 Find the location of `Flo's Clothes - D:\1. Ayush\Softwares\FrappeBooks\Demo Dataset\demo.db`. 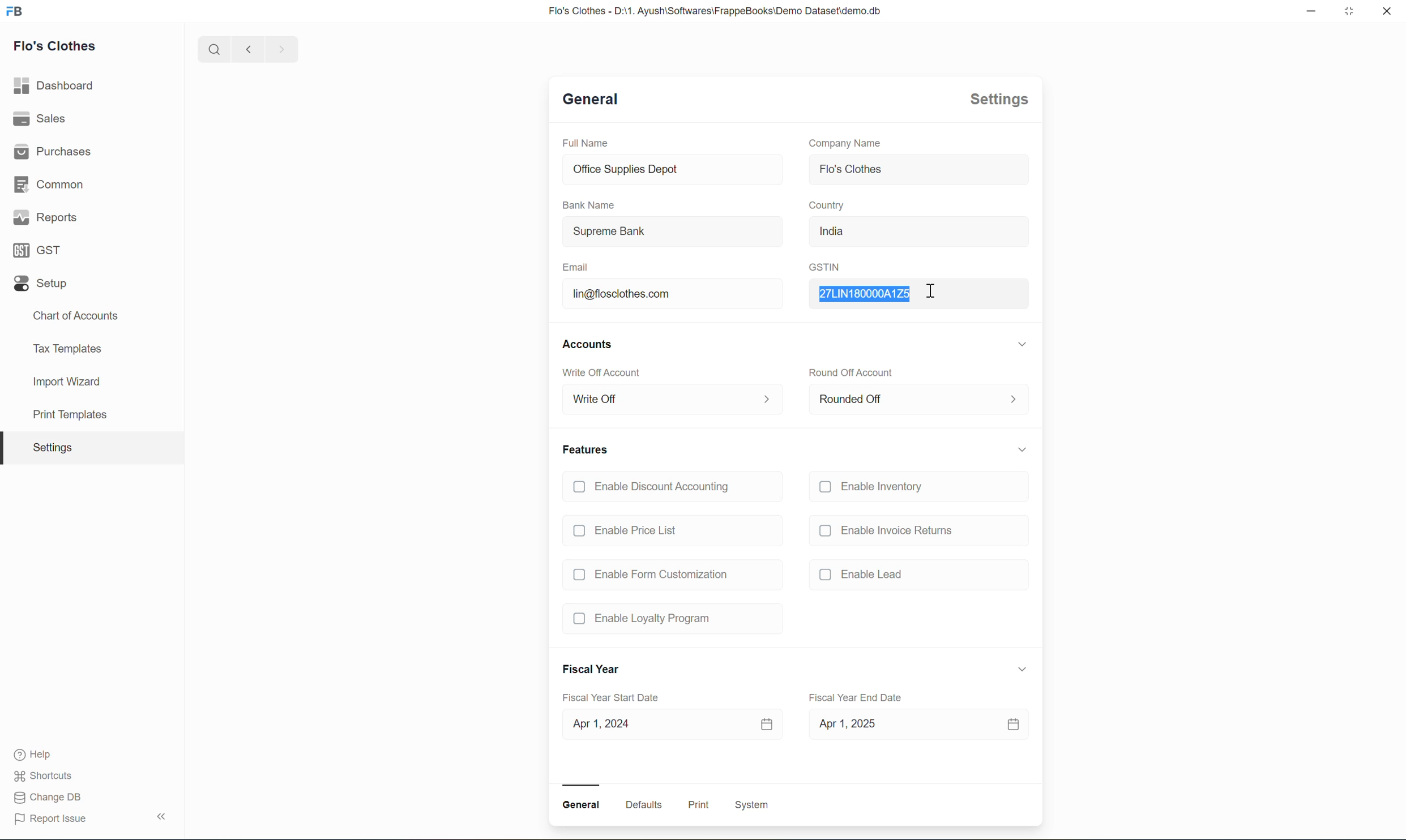

Flo's Clothes - D:\1. Ayush\Softwares\FrappeBooks\Demo Dataset\demo.db is located at coordinates (713, 10).